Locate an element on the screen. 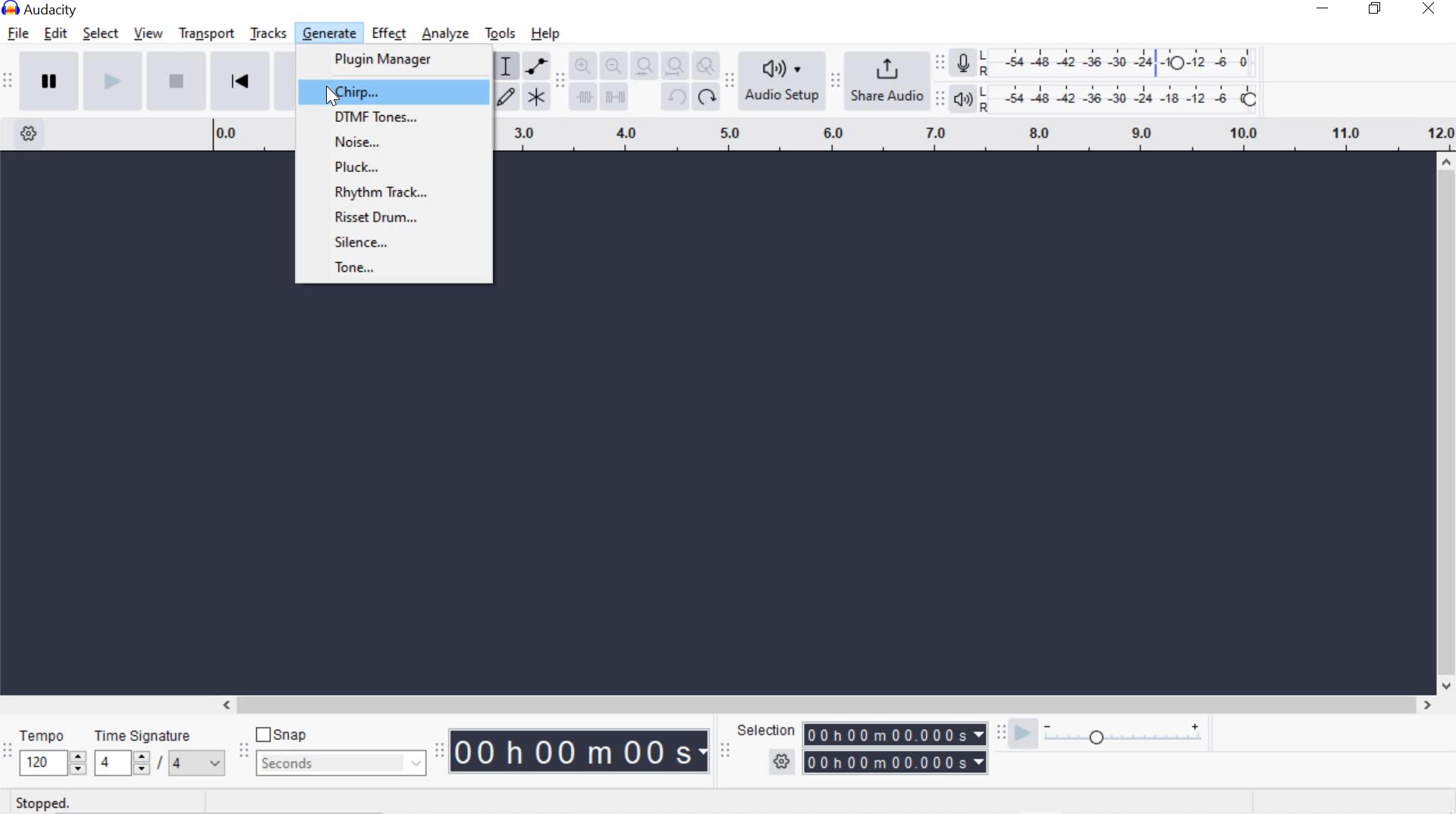 This screenshot has width=1456, height=814. time selection is located at coordinates (895, 734).